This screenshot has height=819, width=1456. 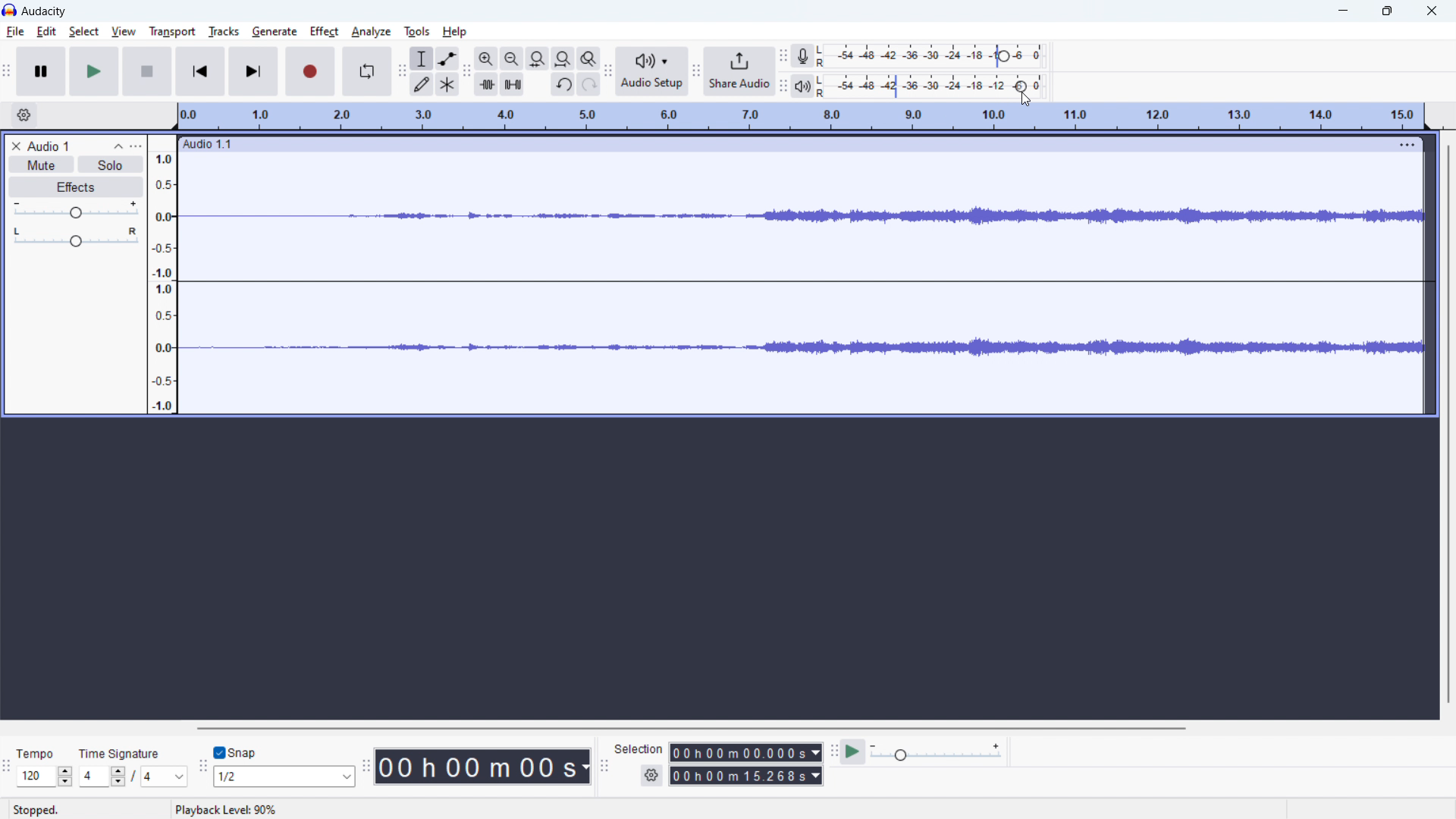 What do you see at coordinates (49, 146) in the screenshot?
I see `project title` at bounding box center [49, 146].